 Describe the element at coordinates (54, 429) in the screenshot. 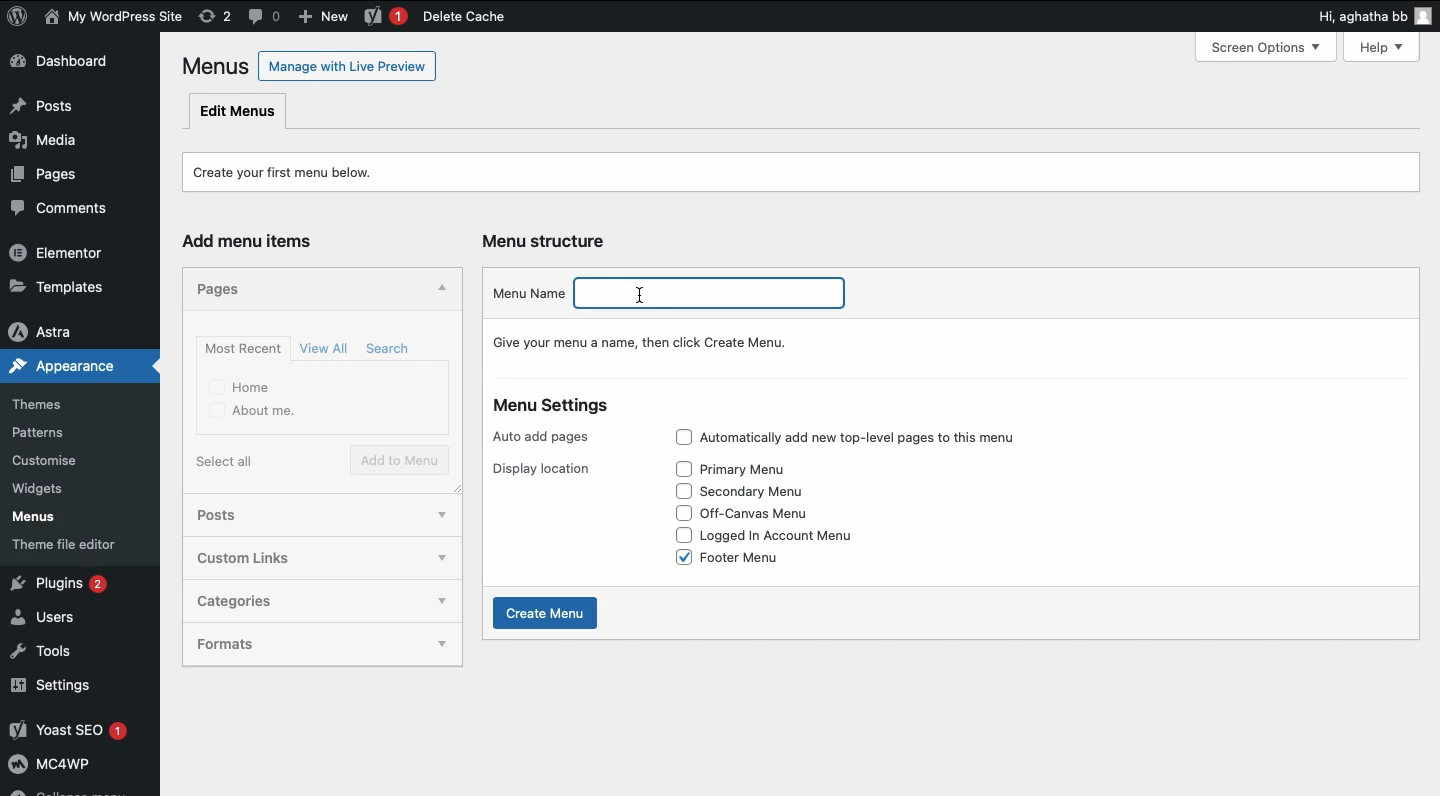

I see `Patterns` at that location.